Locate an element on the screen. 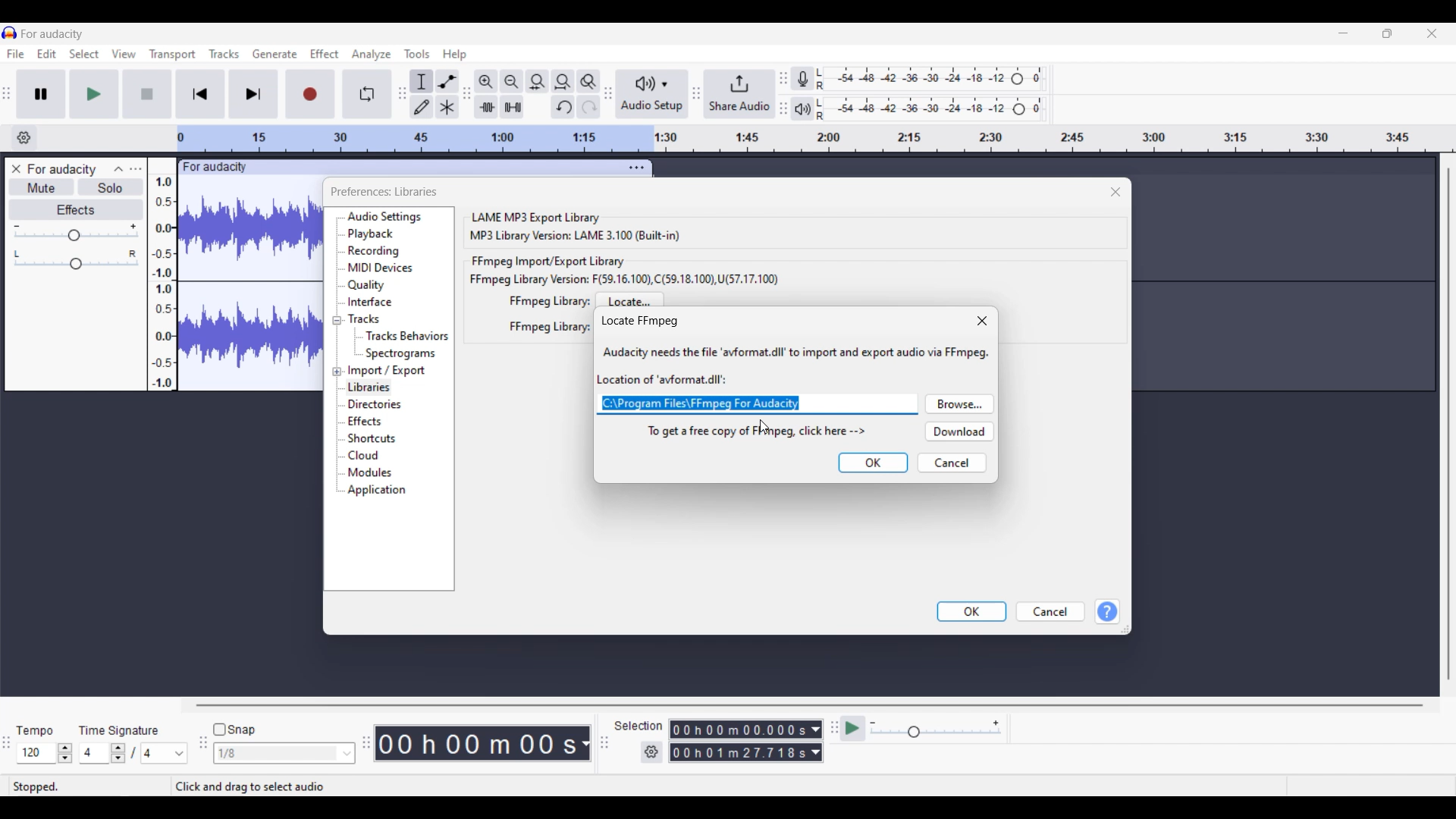 This screenshot has width=1456, height=819. for audacity is located at coordinates (216, 168).